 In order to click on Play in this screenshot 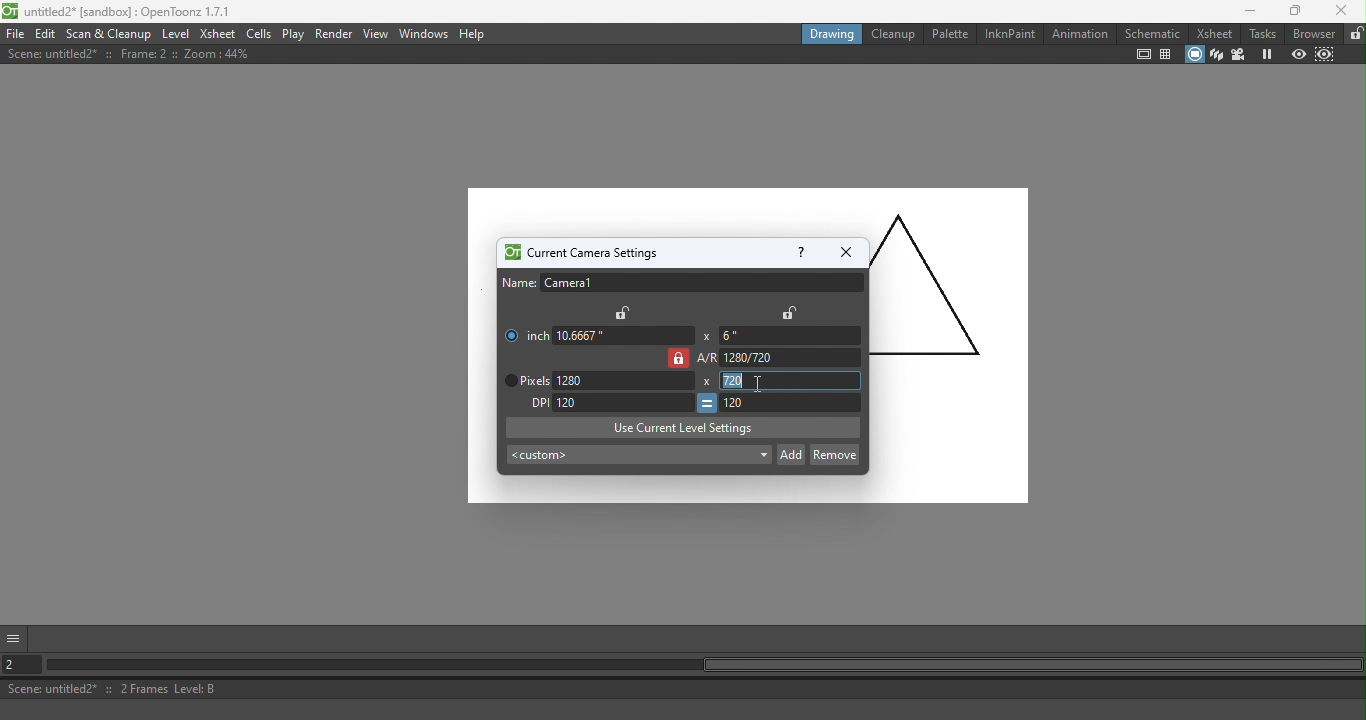, I will do `click(293, 34)`.